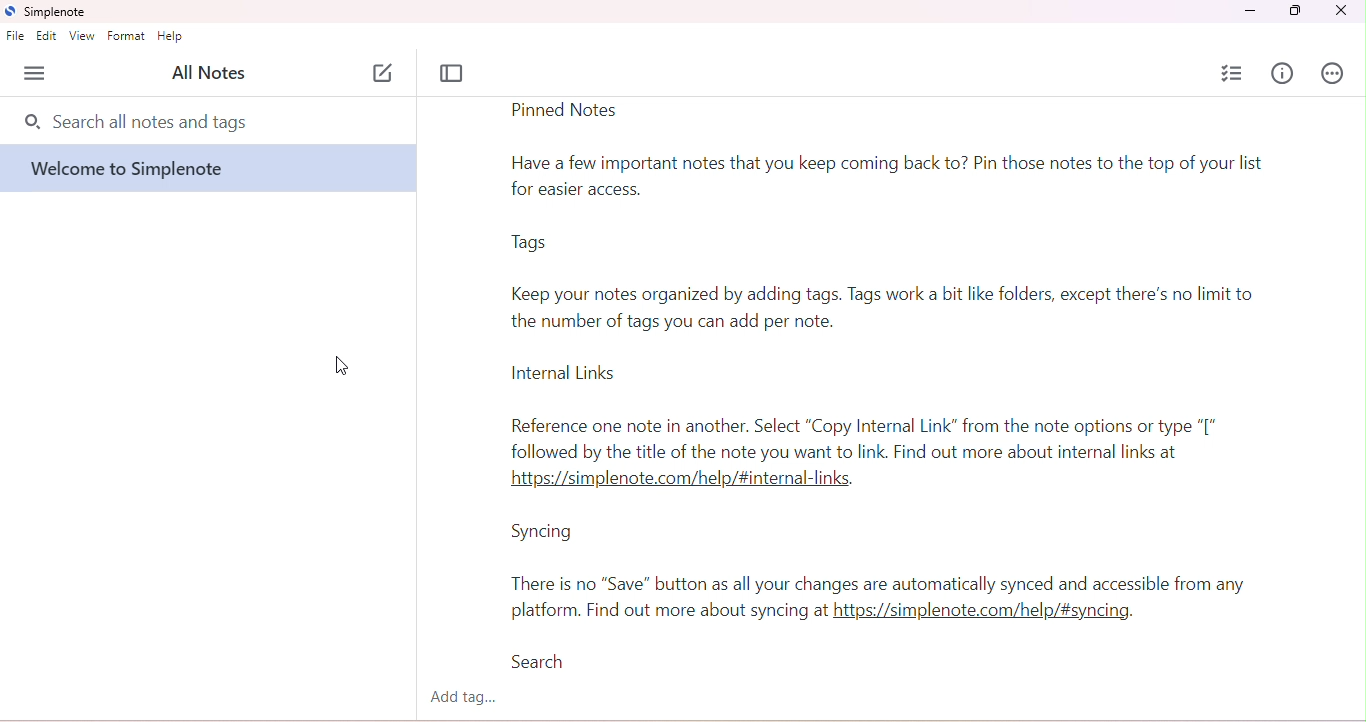 This screenshot has height=722, width=1366. I want to click on cursor , so click(345, 368).